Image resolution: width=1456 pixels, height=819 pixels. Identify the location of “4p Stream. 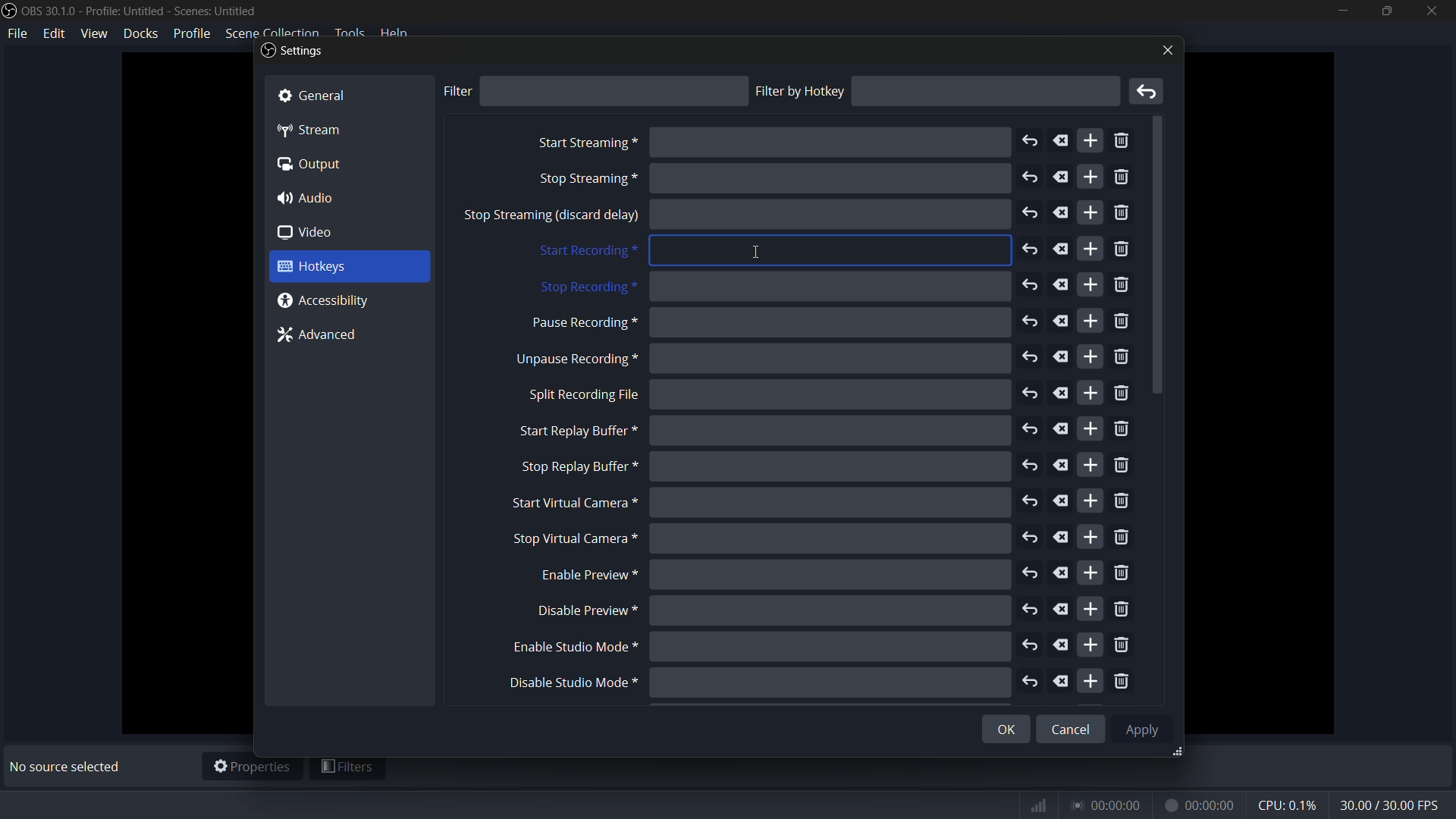
(319, 129).